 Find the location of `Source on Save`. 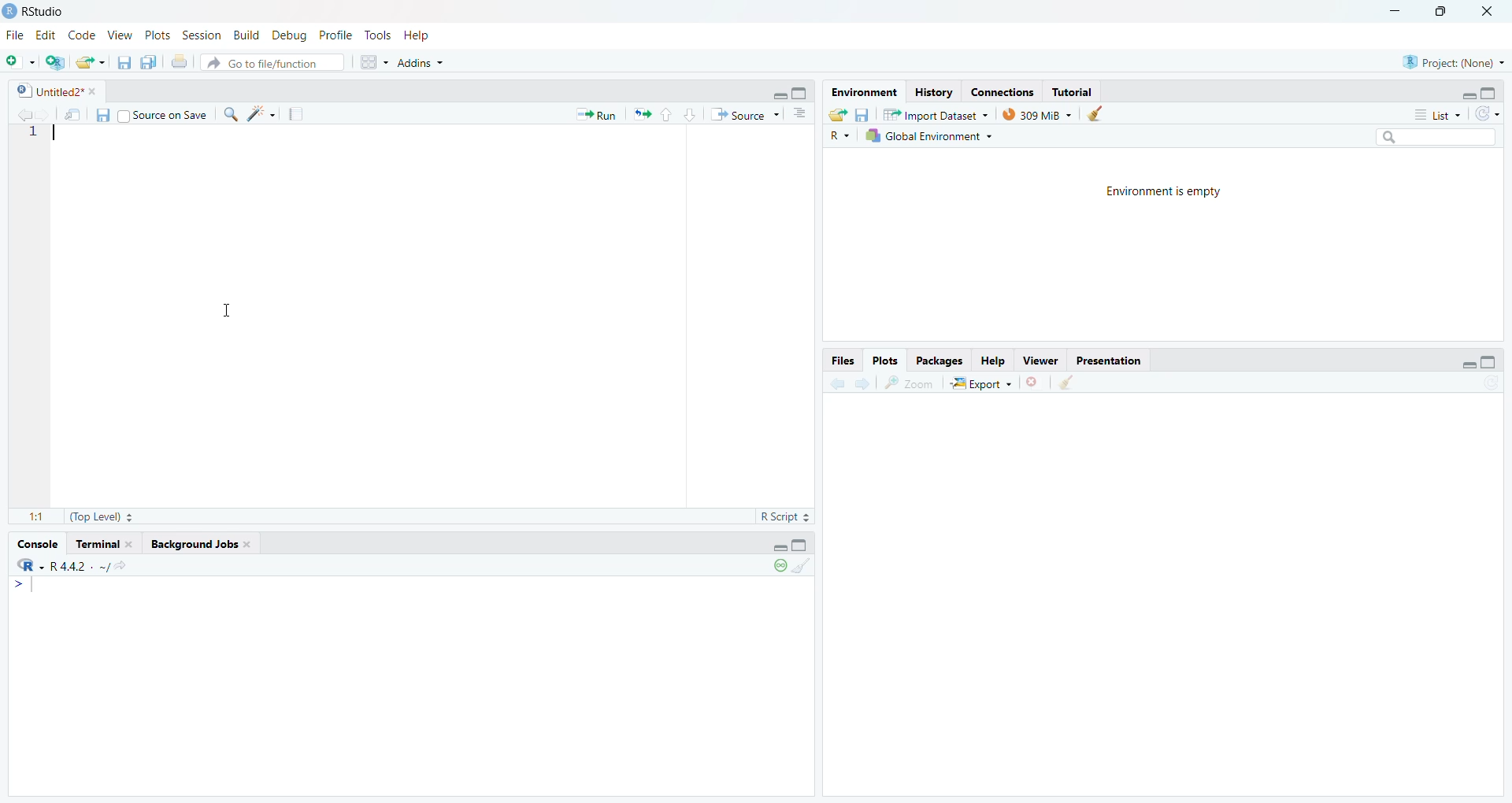

Source on Save is located at coordinates (167, 116).